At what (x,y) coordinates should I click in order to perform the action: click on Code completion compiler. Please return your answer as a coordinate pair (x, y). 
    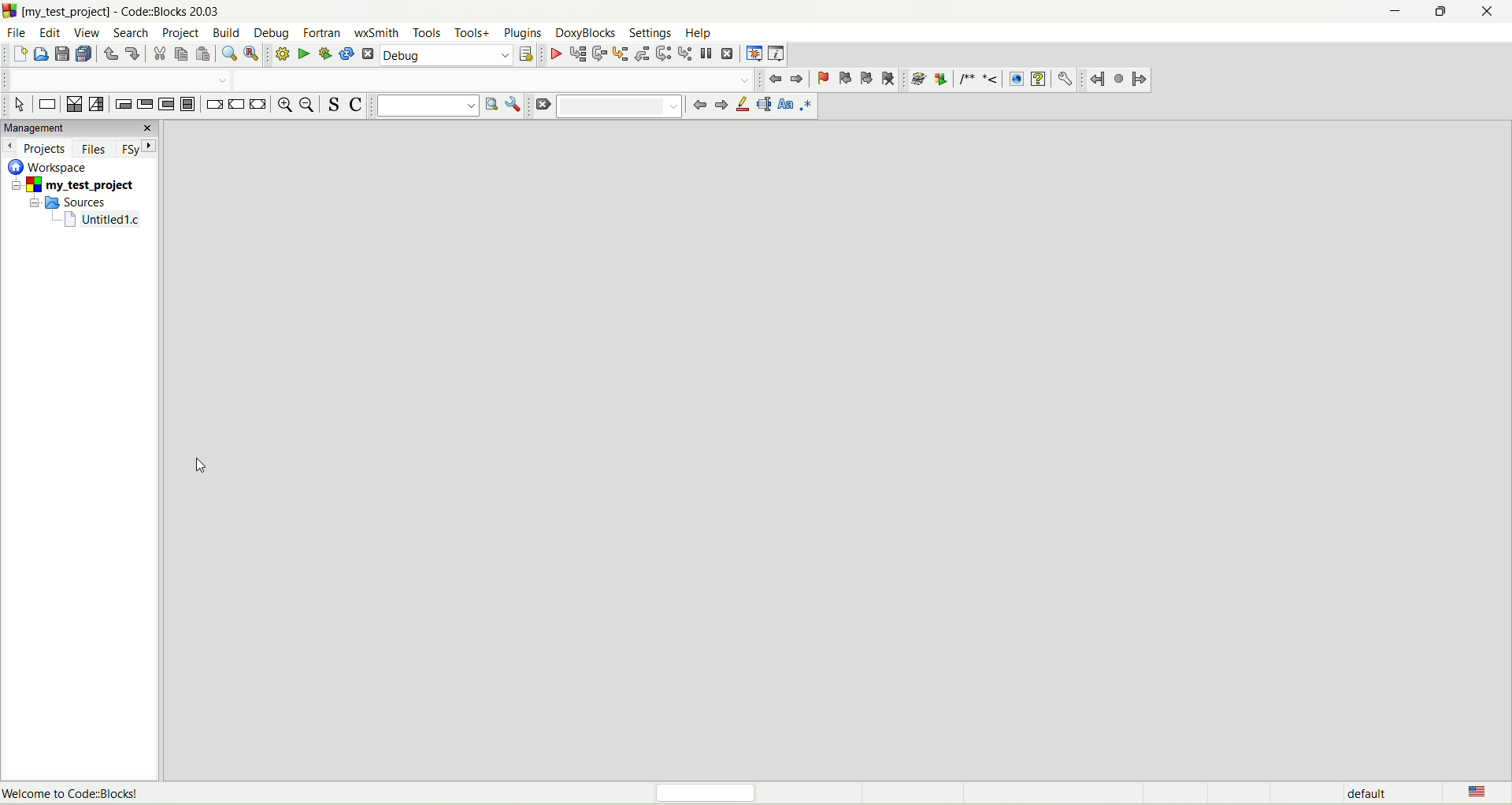
    Looking at the image, I should click on (375, 80).